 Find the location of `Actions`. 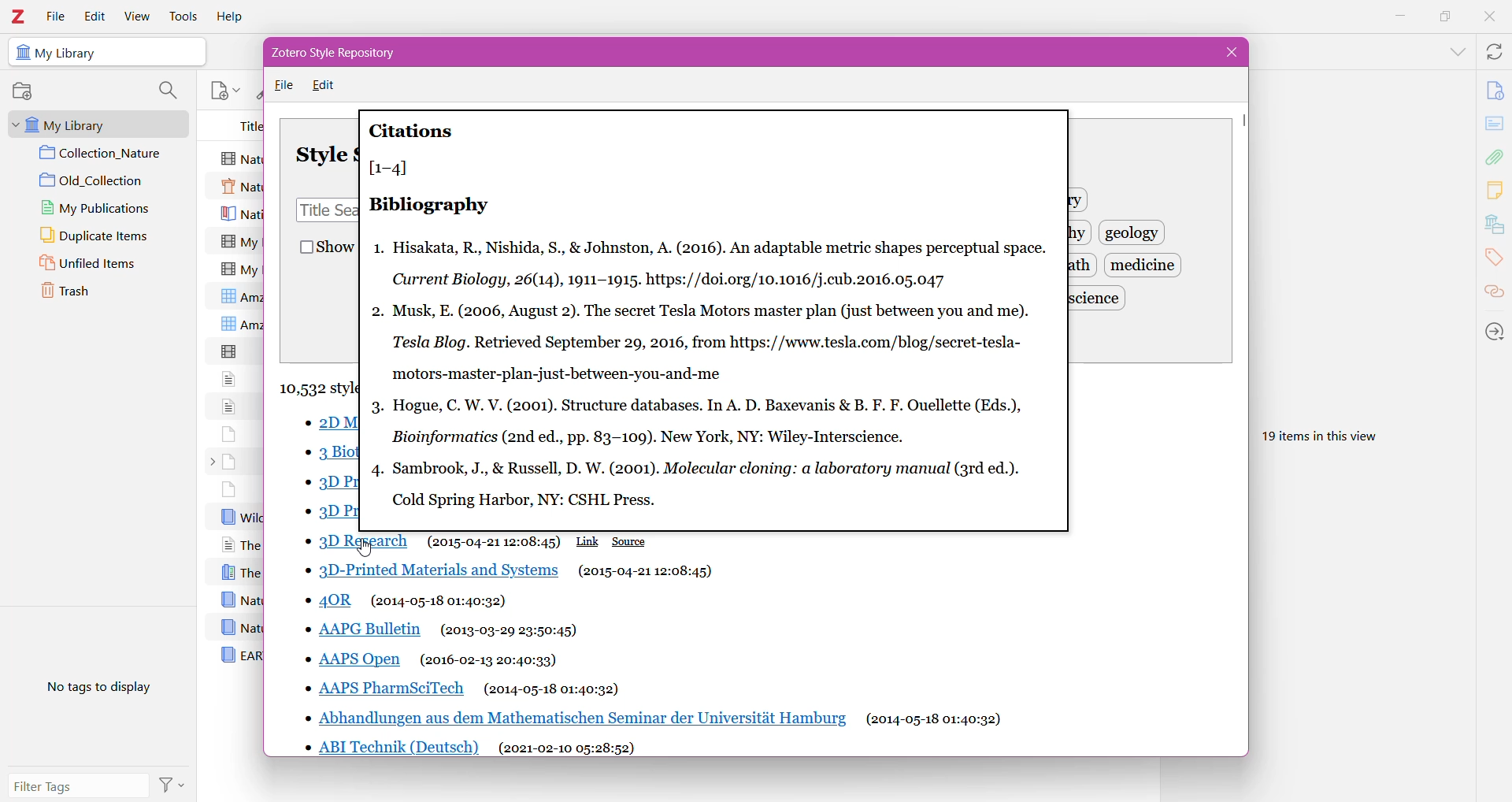

Actions is located at coordinates (175, 784).